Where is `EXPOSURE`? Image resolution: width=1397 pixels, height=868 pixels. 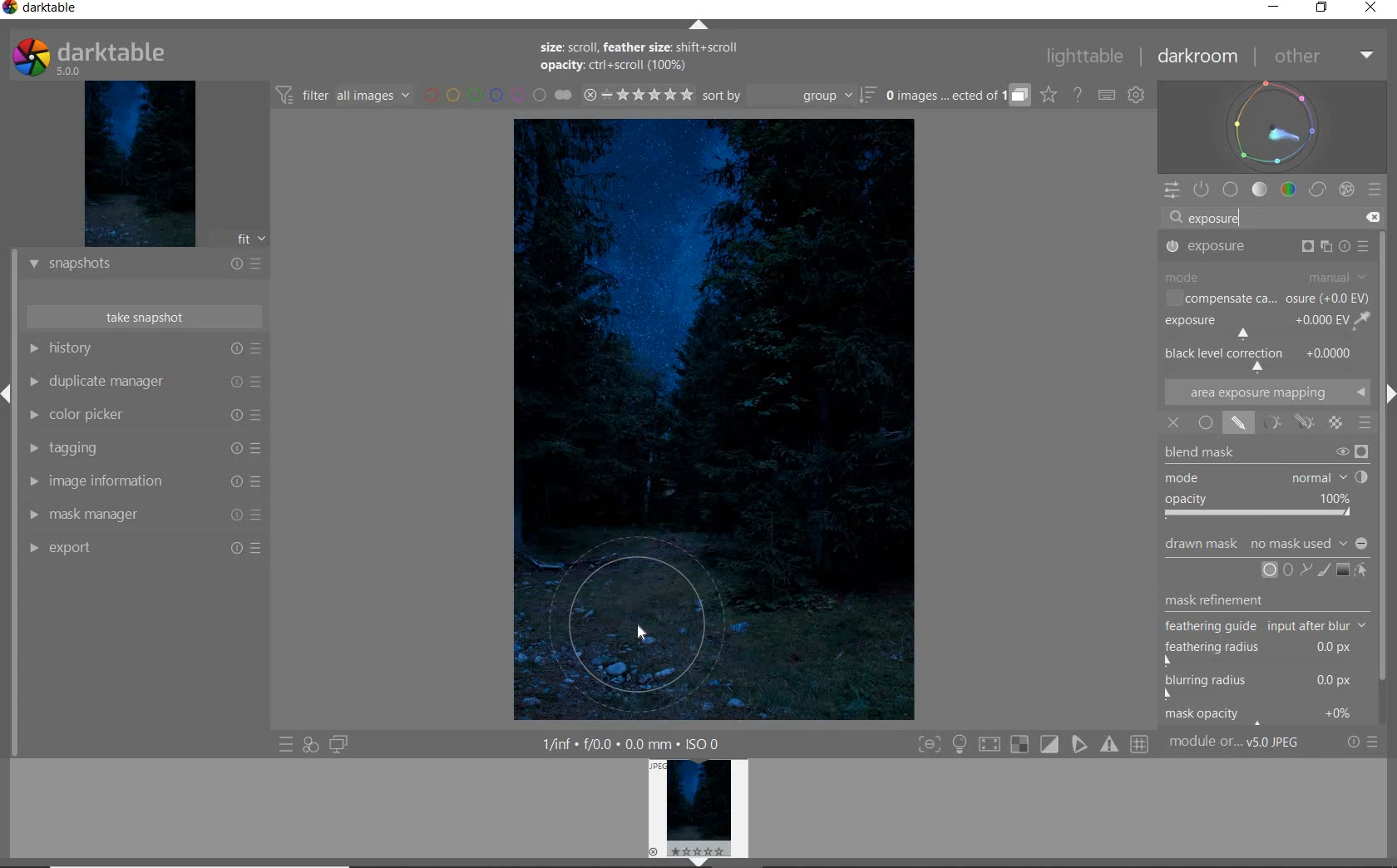
EXPOSURE is located at coordinates (1270, 246).